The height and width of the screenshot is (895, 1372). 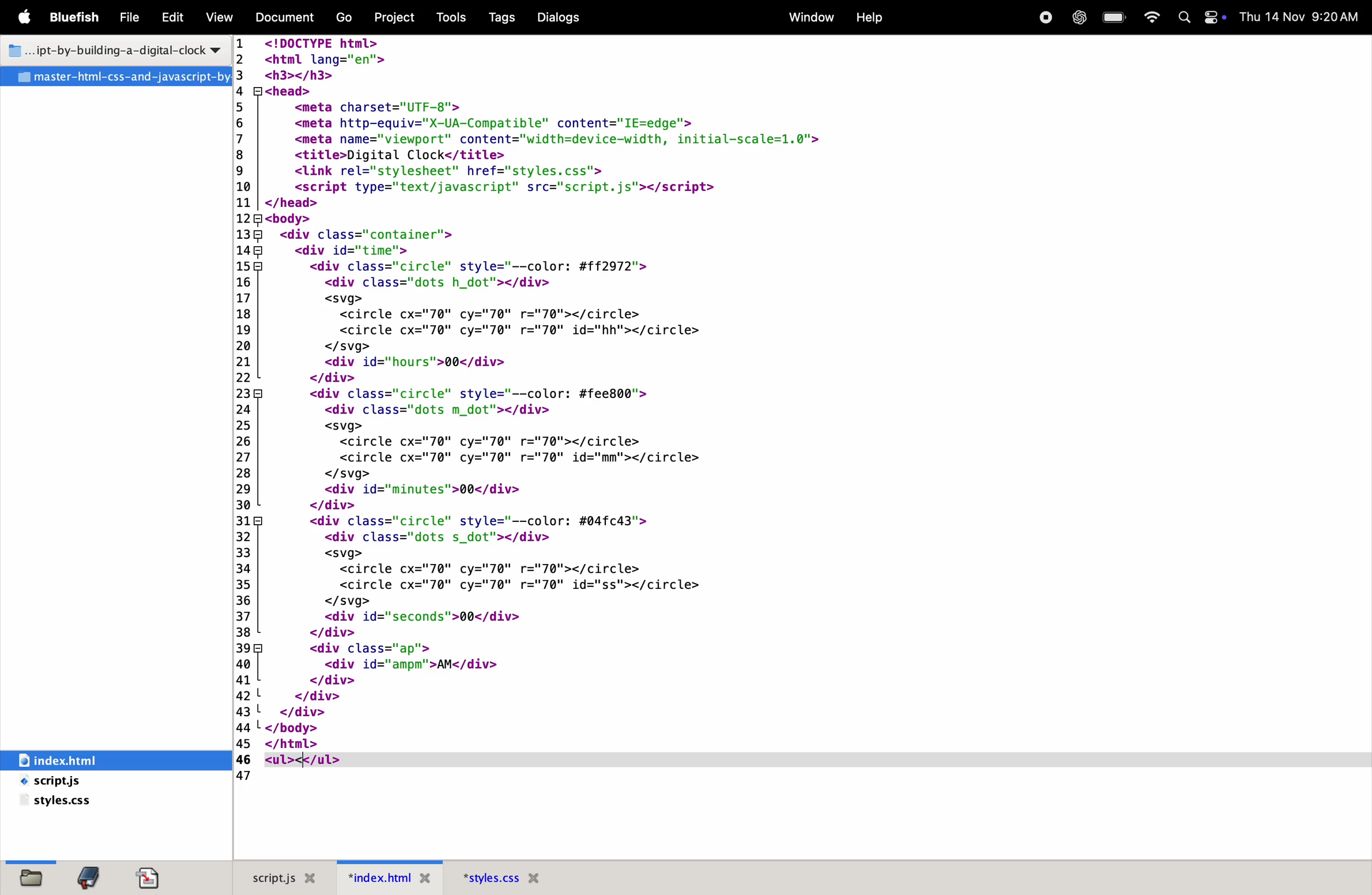 I want to click on script.js, so click(x=80, y=782).